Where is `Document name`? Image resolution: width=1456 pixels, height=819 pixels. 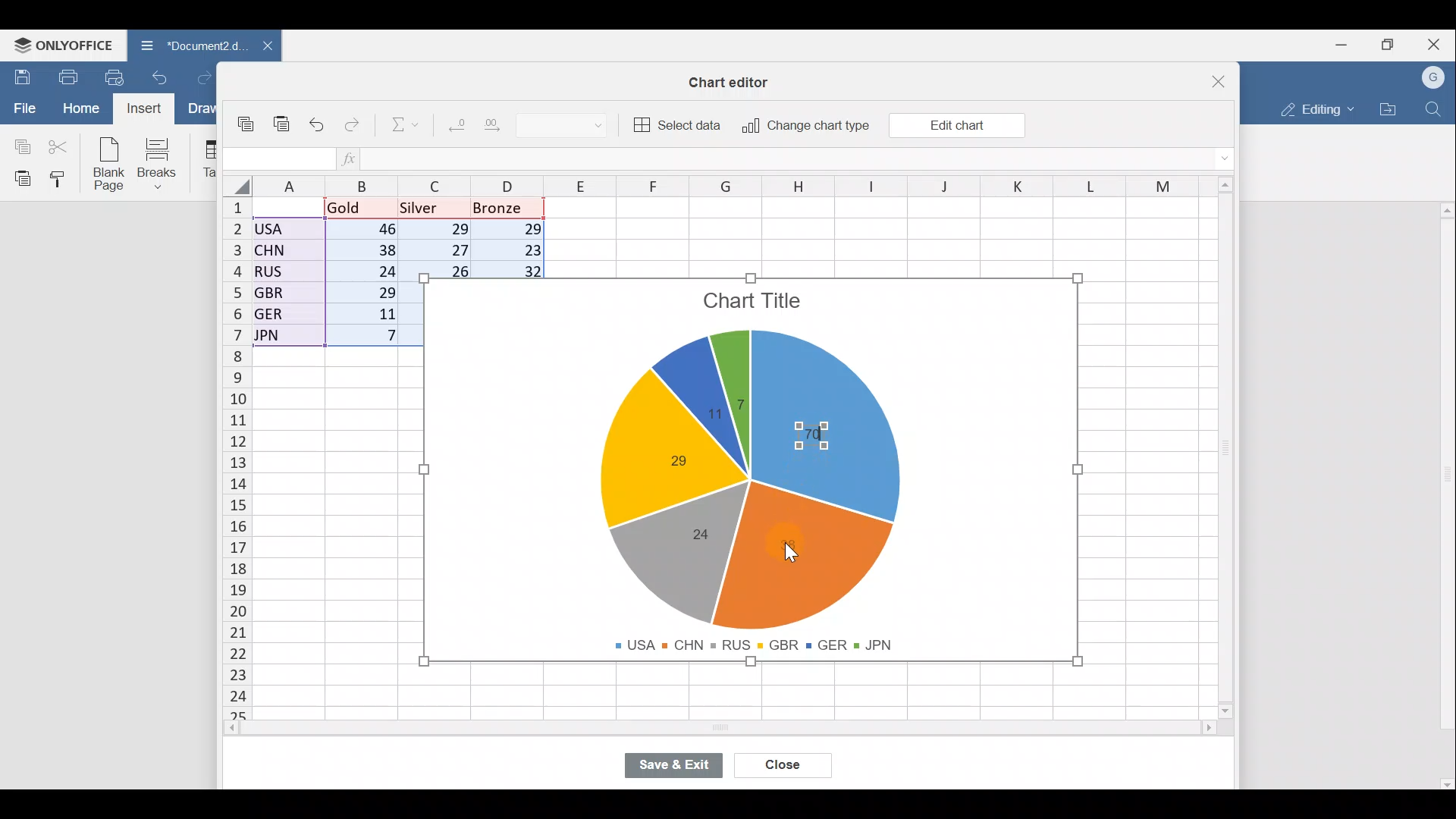 Document name is located at coordinates (188, 47).